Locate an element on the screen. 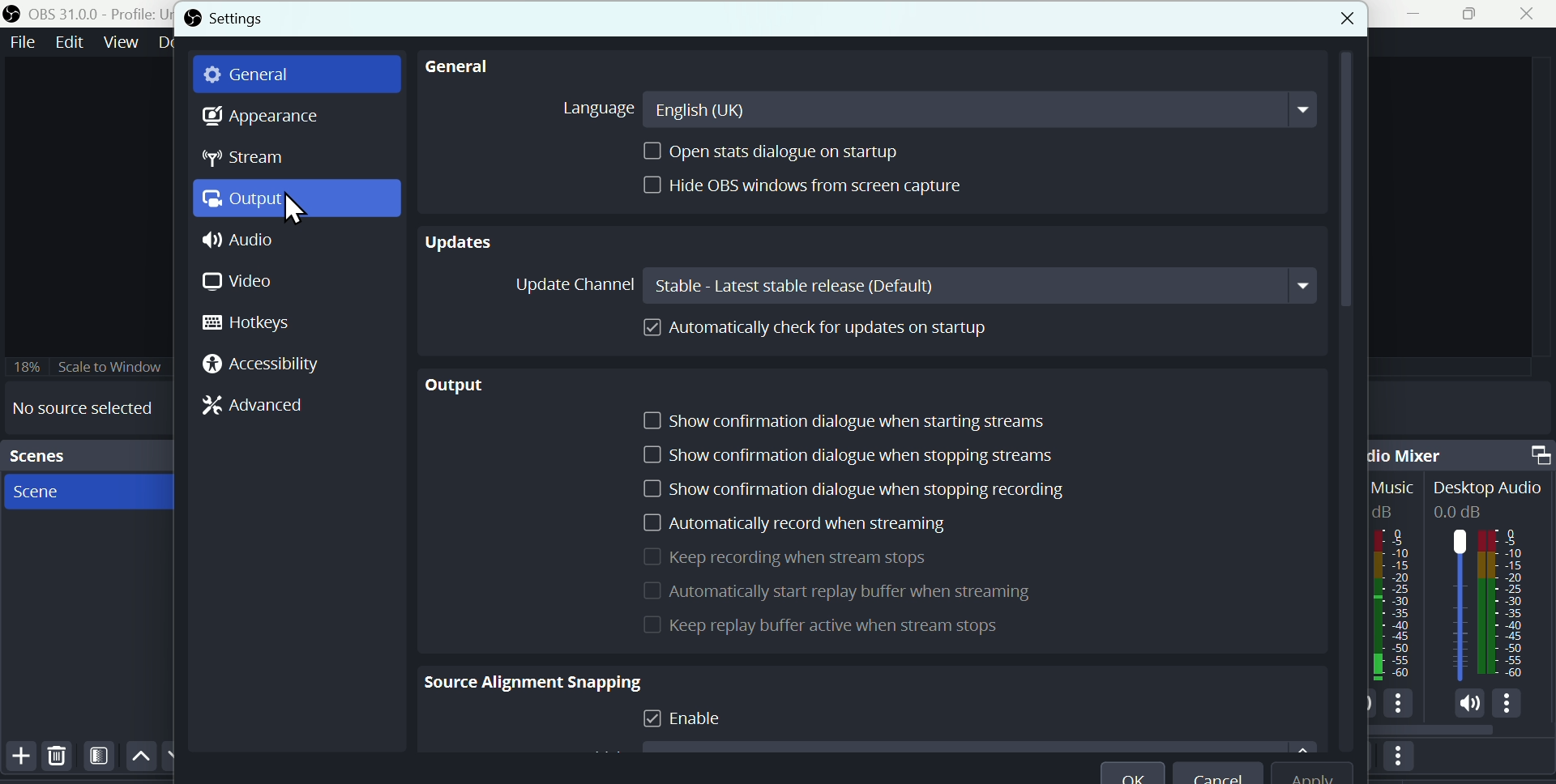 The height and width of the screenshot is (784, 1556). OBS 31.0 .0 profile untitled scenes new scene is located at coordinates (83, 14).